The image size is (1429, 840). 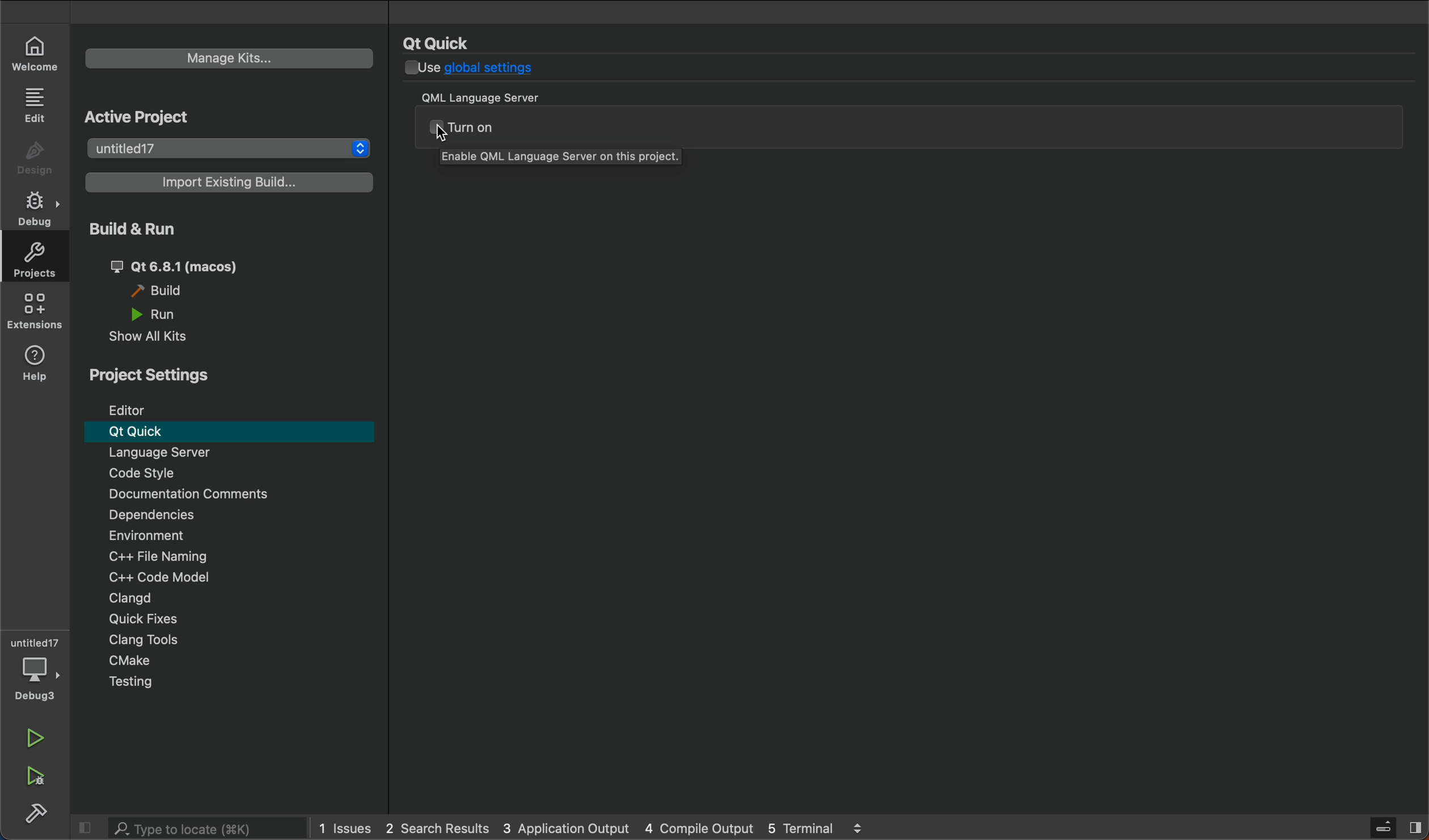 I want to click on run, so click(x=34, y=736).